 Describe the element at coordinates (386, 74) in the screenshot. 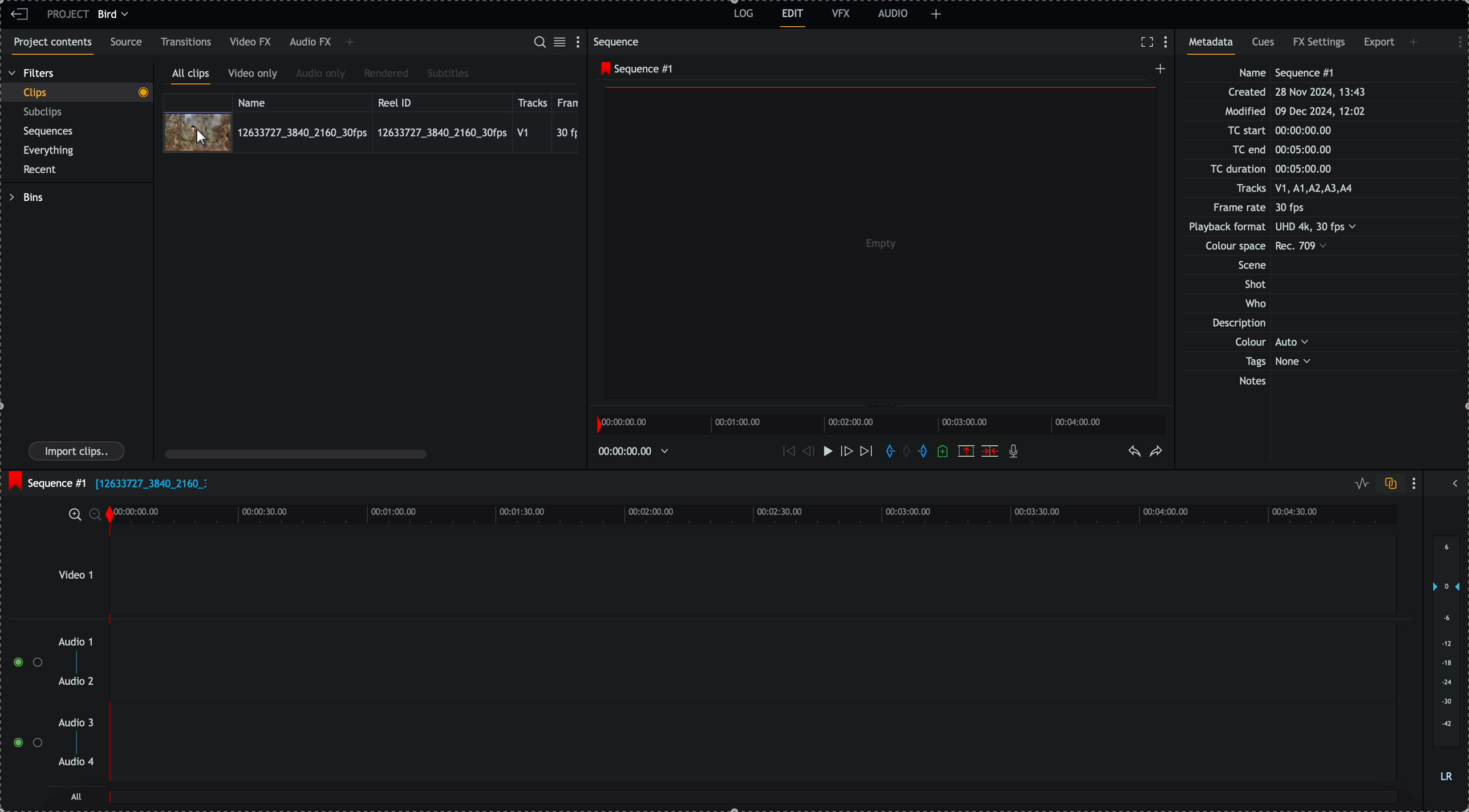

I see `rendered` at that location.